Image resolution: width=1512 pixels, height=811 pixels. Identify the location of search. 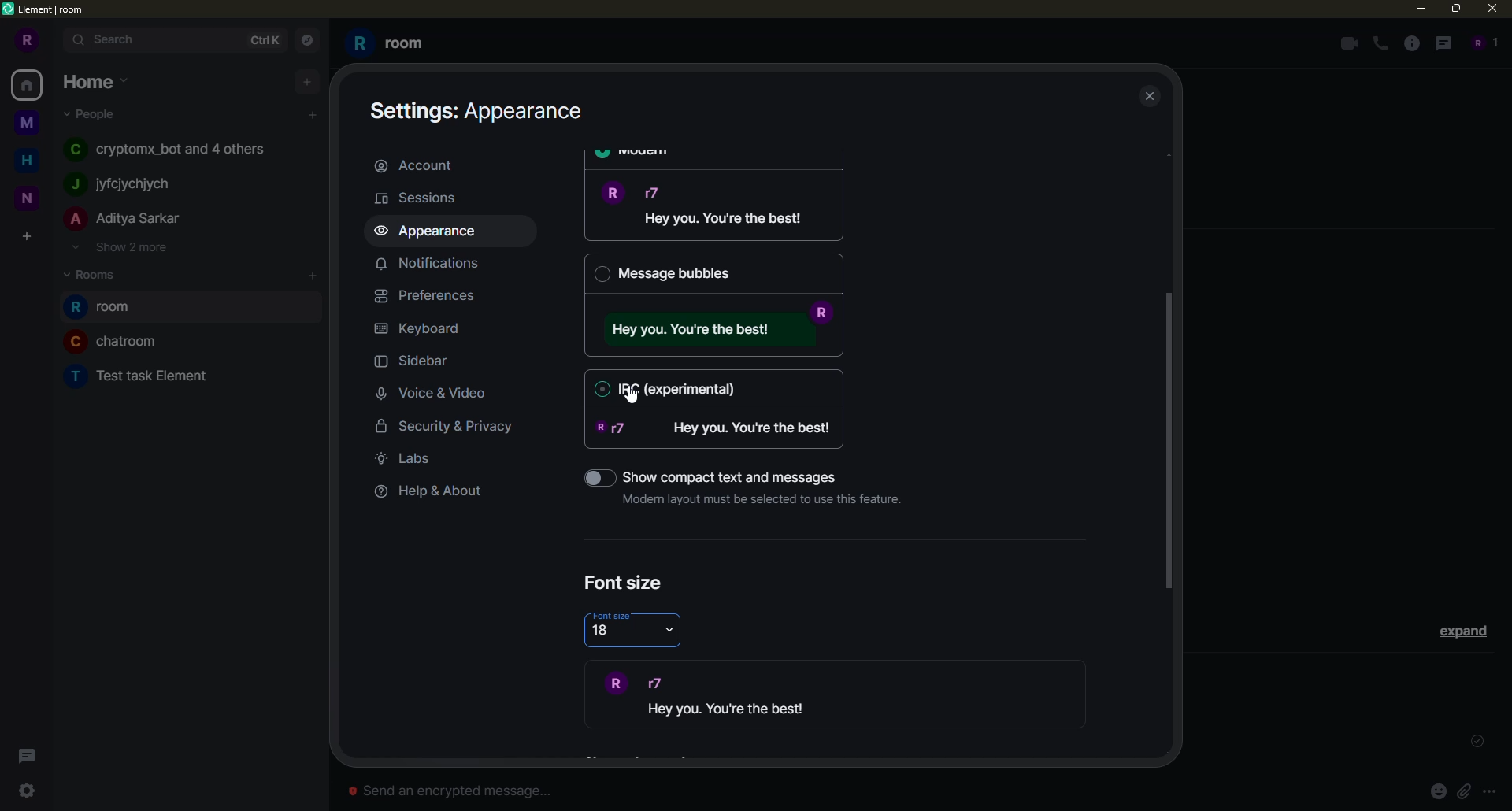
(112, 39).